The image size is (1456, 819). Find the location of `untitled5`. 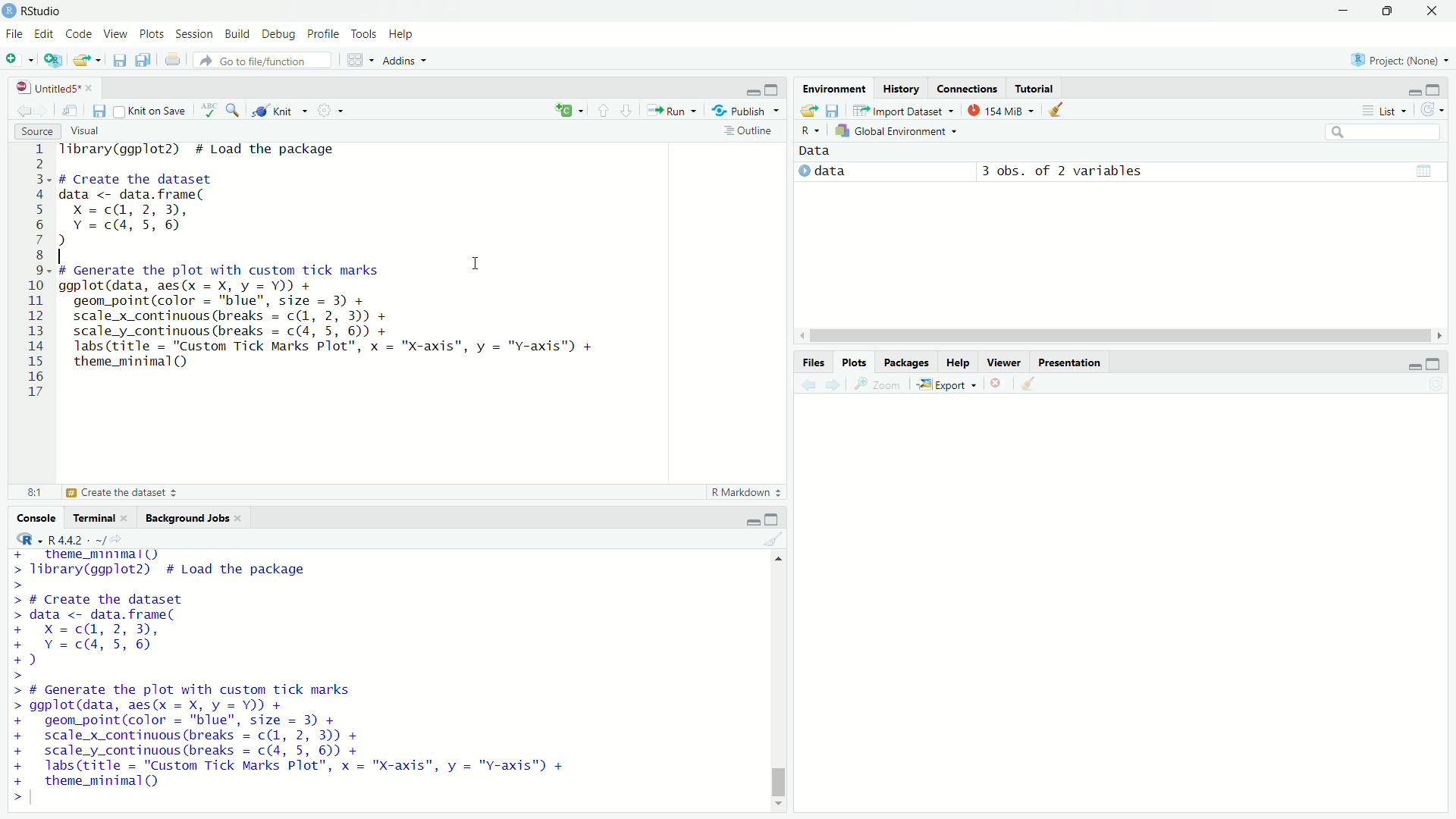

untitled5 is located at coordinates (39, 87).